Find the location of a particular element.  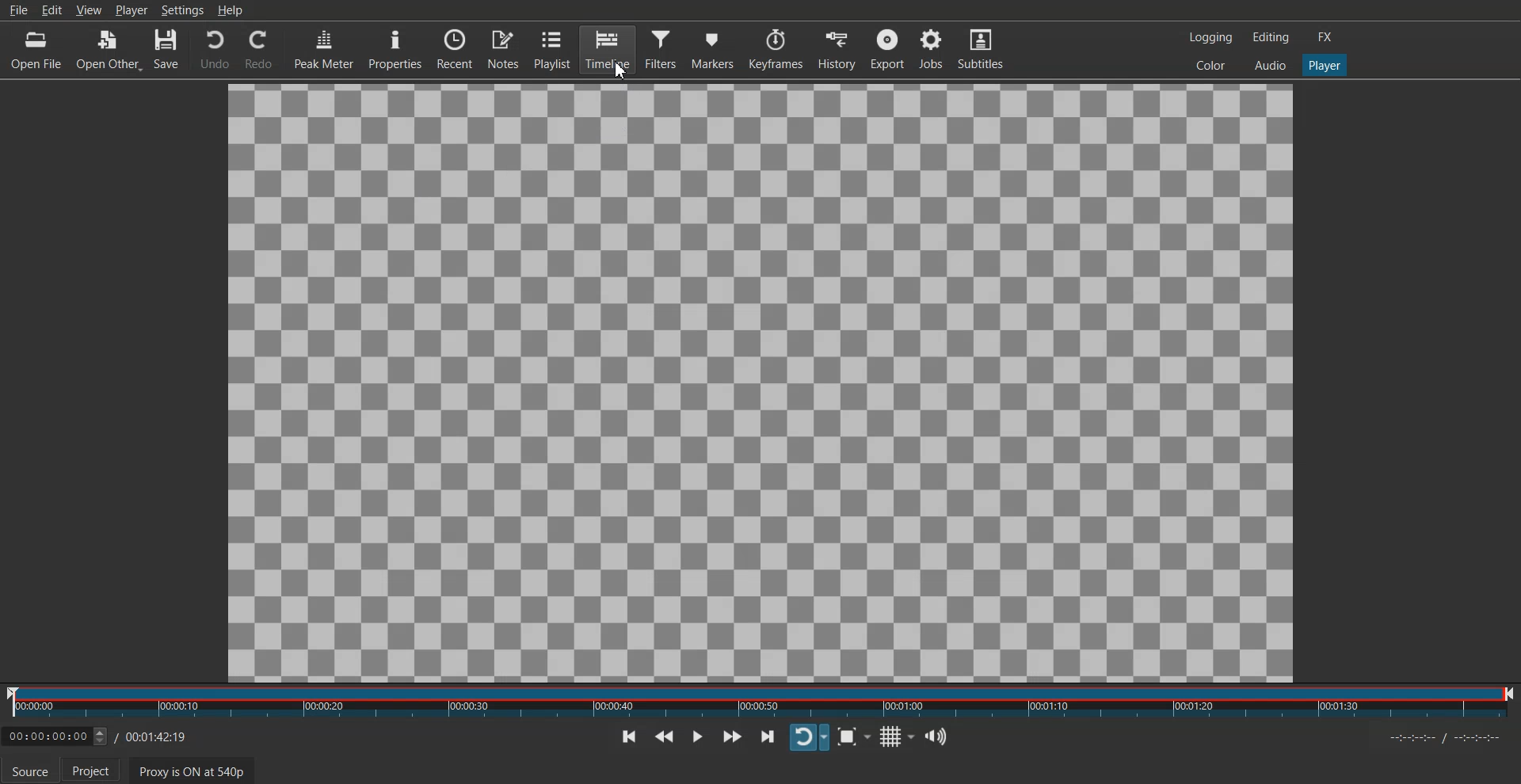

Skip to previous point is located at coordinates (630, 736).